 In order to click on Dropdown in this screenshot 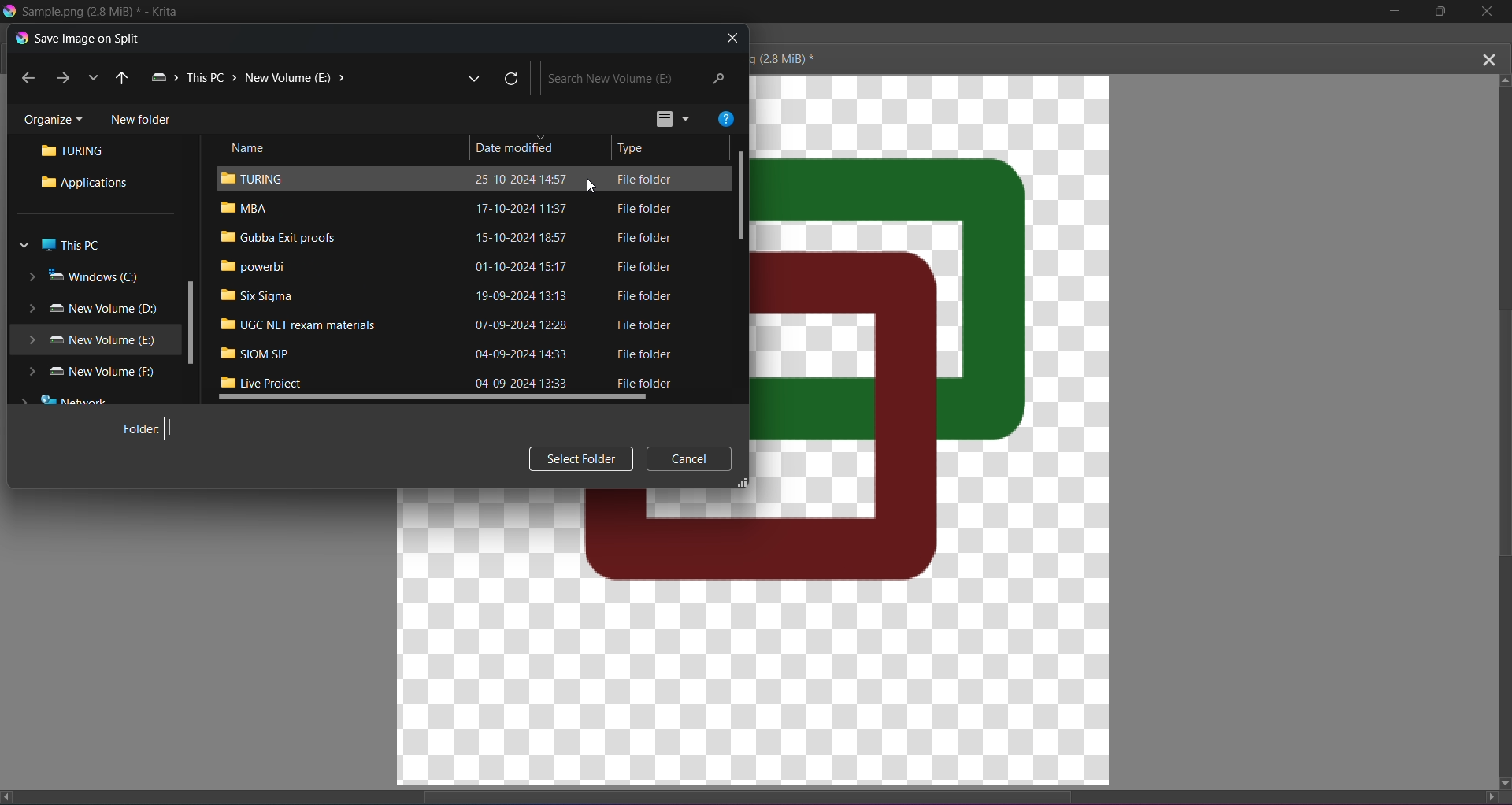, I will do `click(94, 78)`.